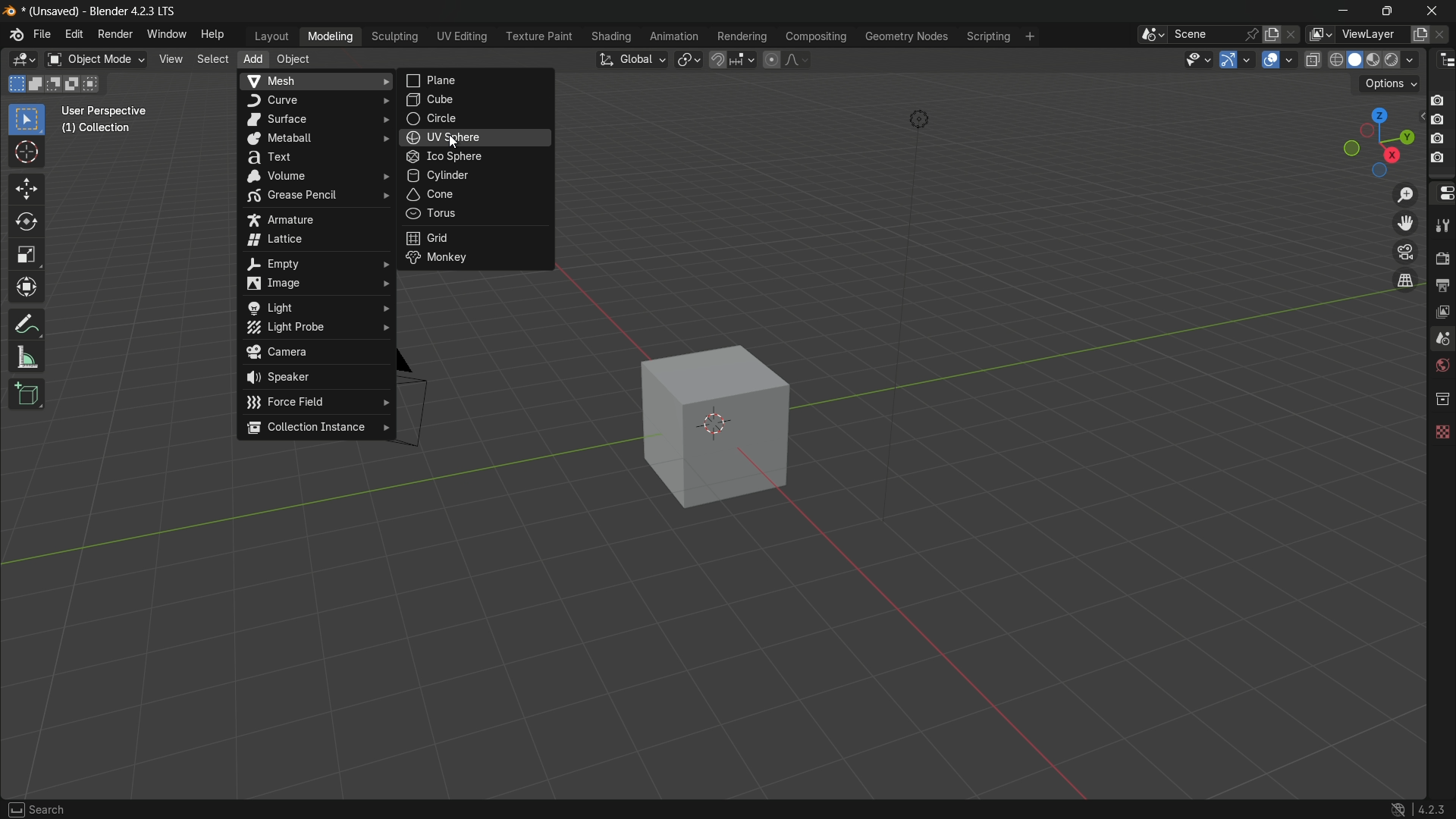 This screenshot has width=1456, height=819. Describe the element at coordinates (1153, 35) in the screenshot. I see `browse scenes` at that location.